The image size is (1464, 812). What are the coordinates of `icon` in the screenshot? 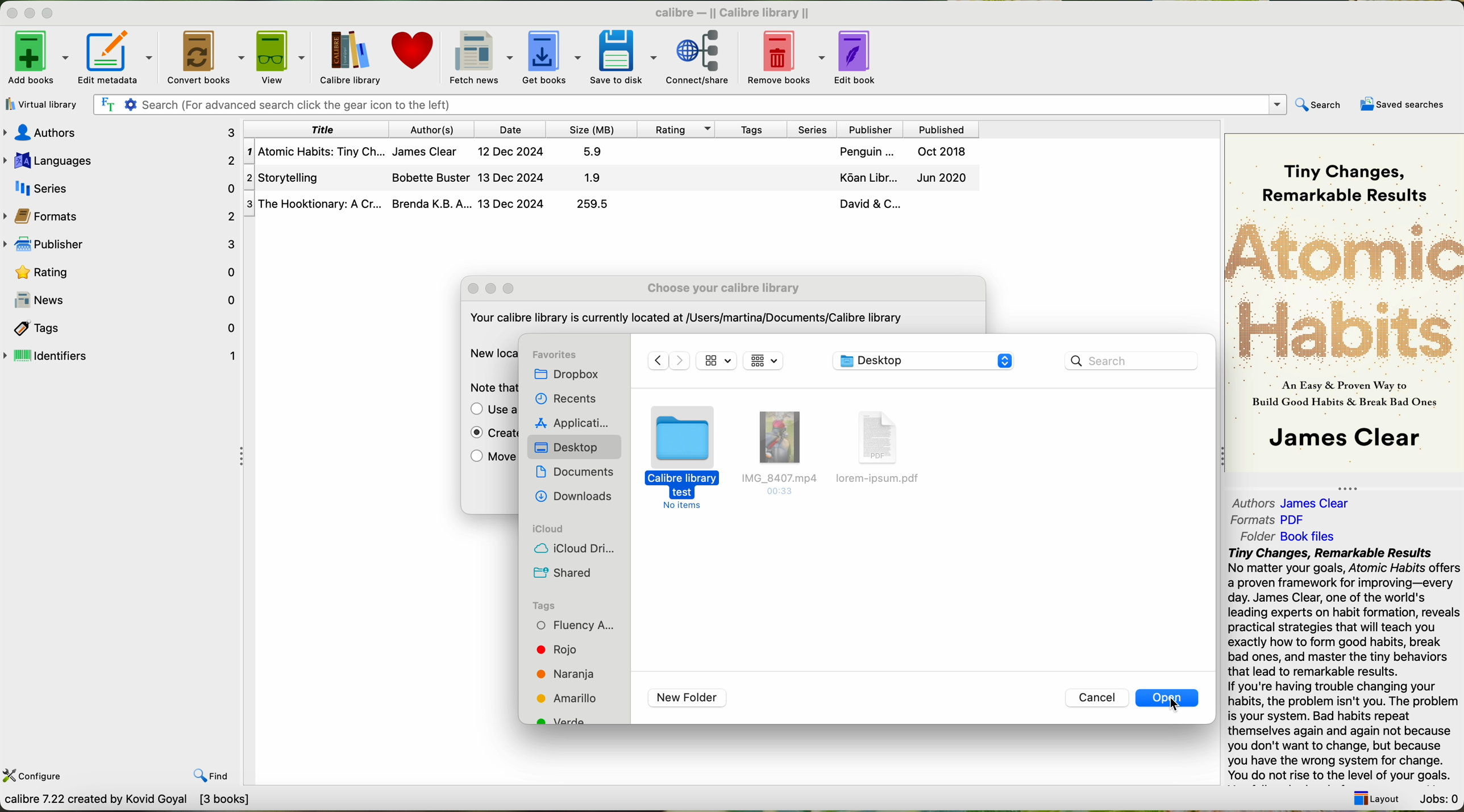 It's located at (763, 360).